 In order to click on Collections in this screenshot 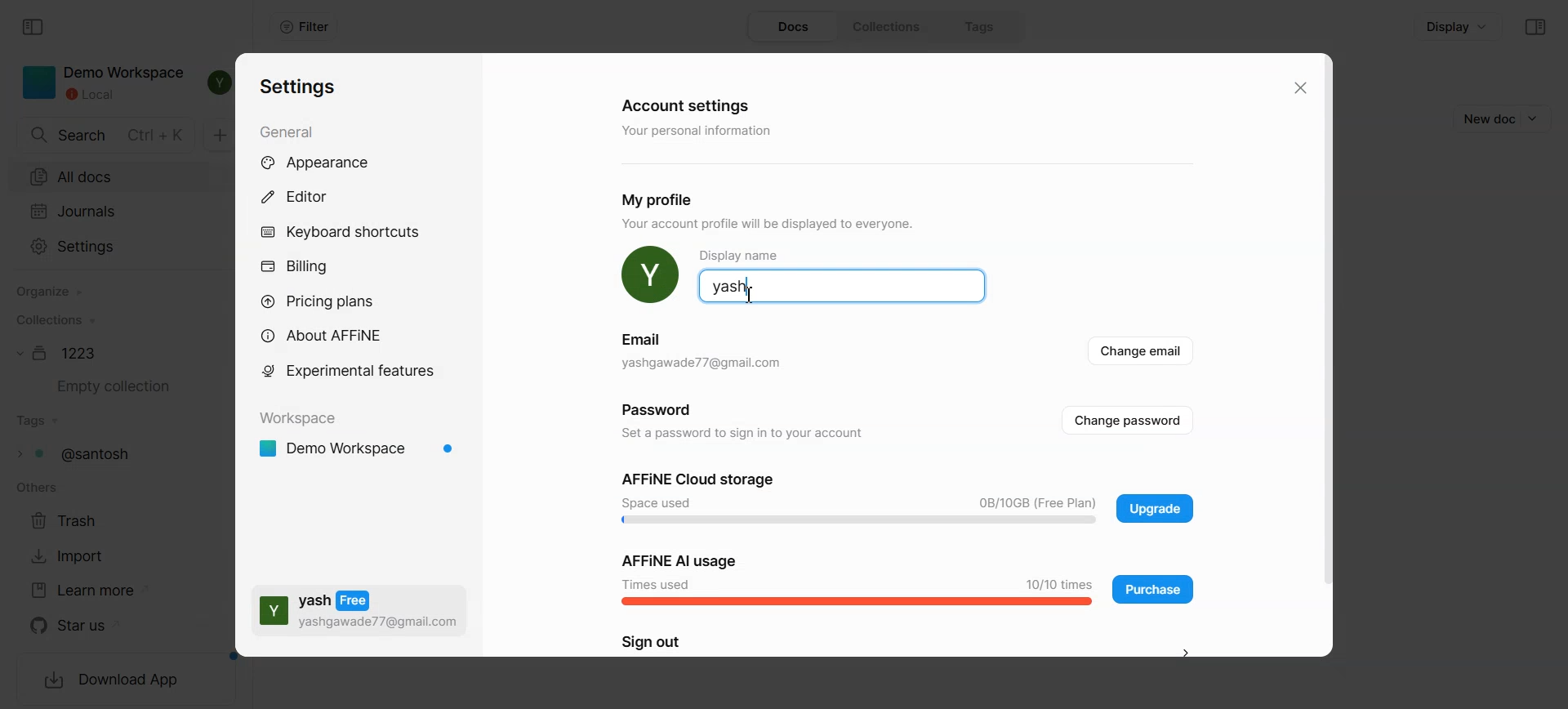, I will do `click(54, 319)`.